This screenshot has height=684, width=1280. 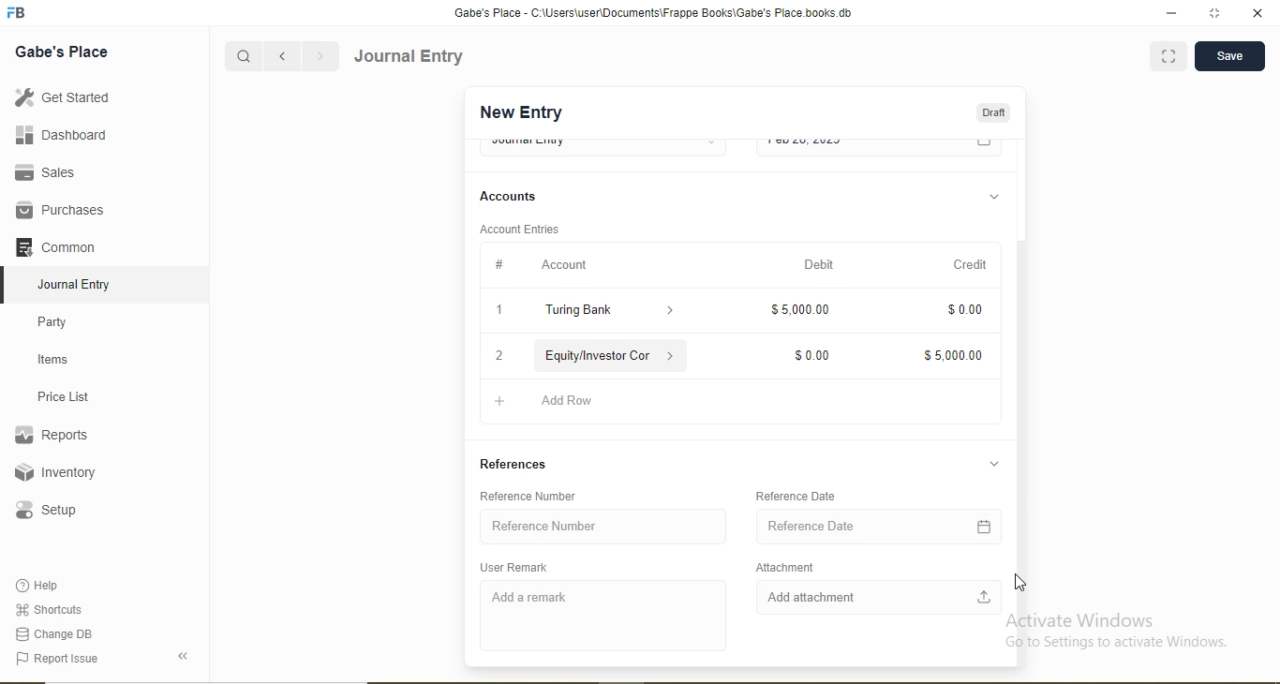 I want to click on Account, so click(x=566, y=264).